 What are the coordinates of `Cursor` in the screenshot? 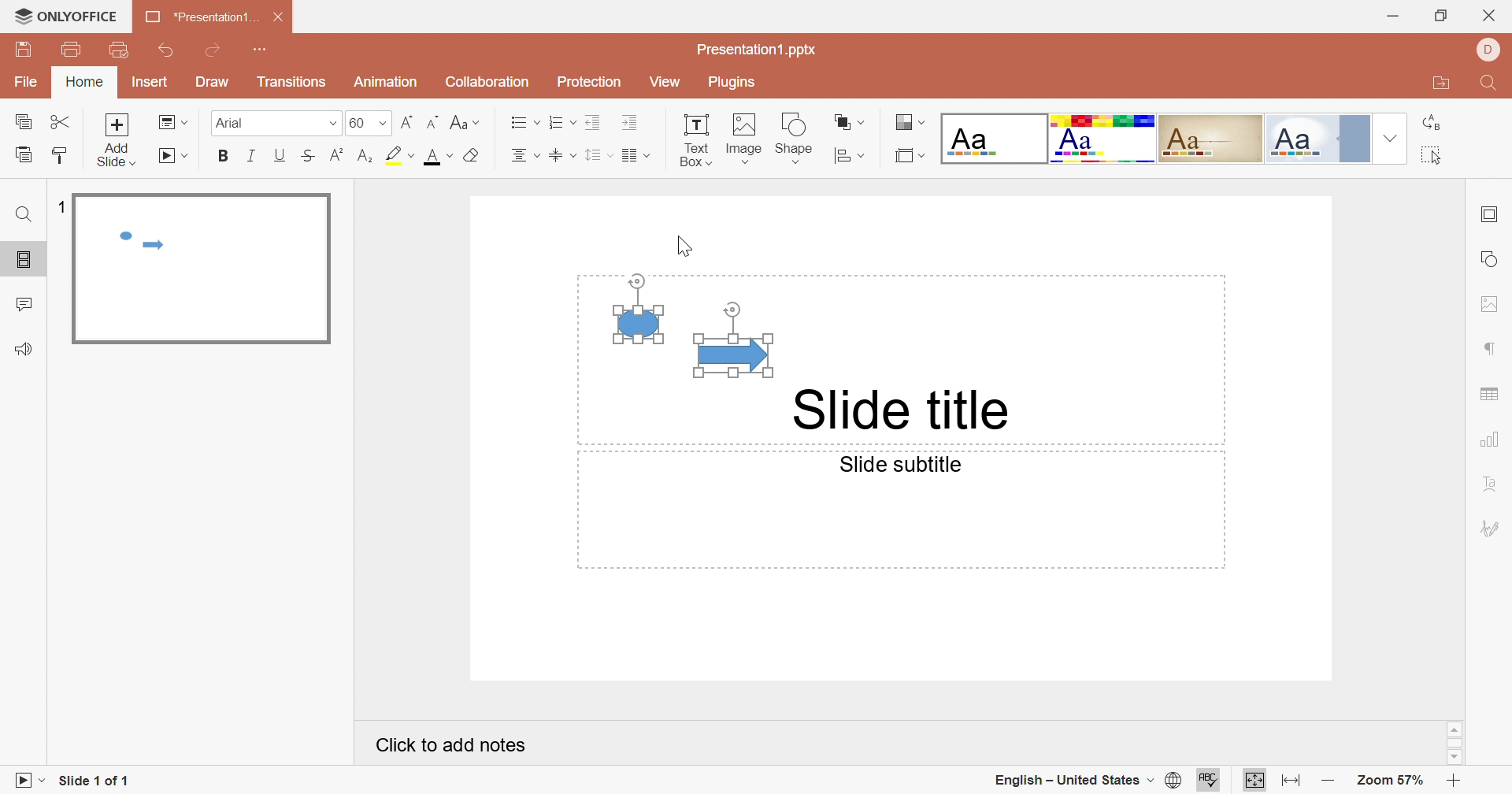 It's located at (686, 247).